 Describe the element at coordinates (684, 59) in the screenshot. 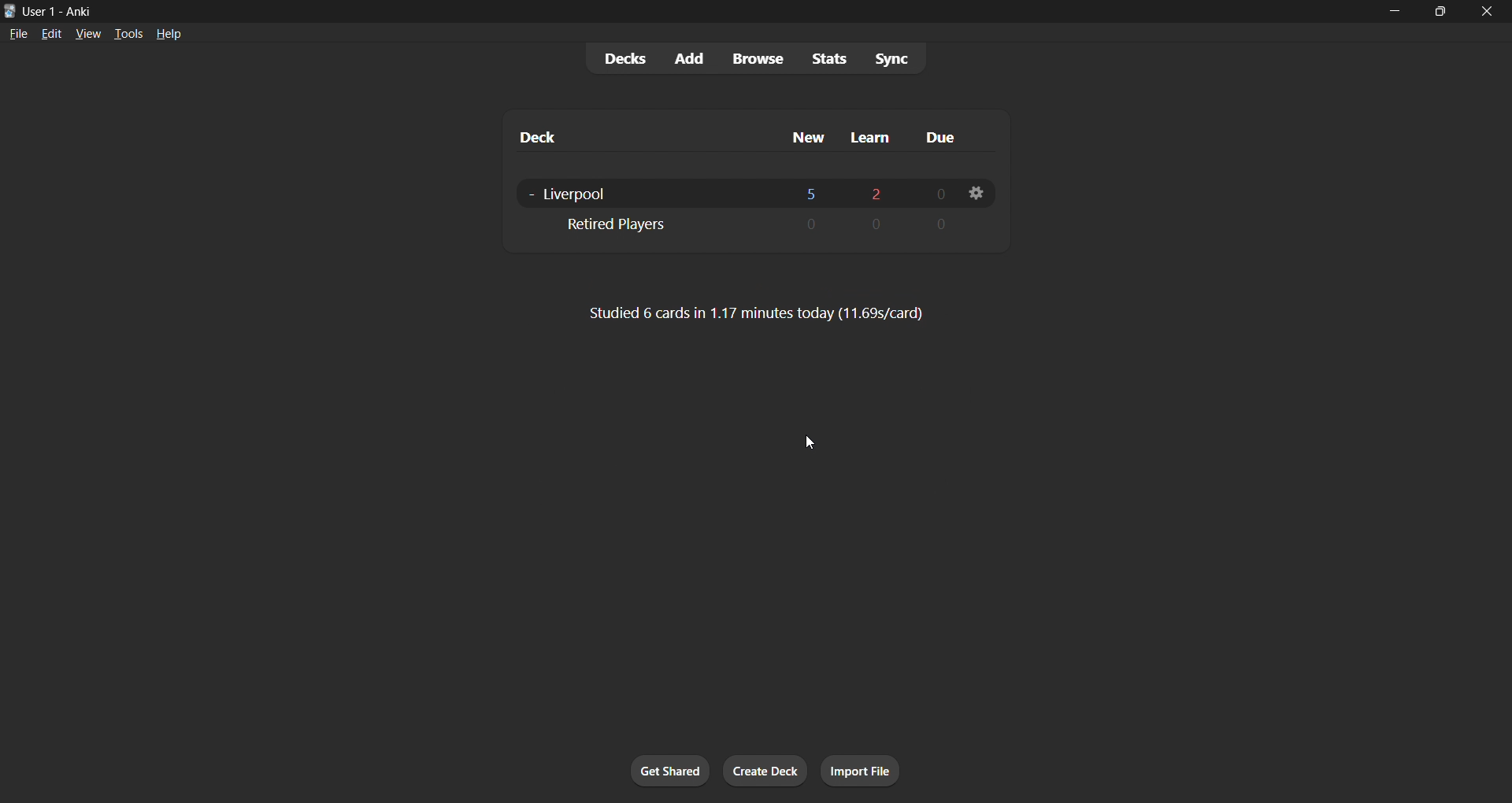

I see `add` at that location.